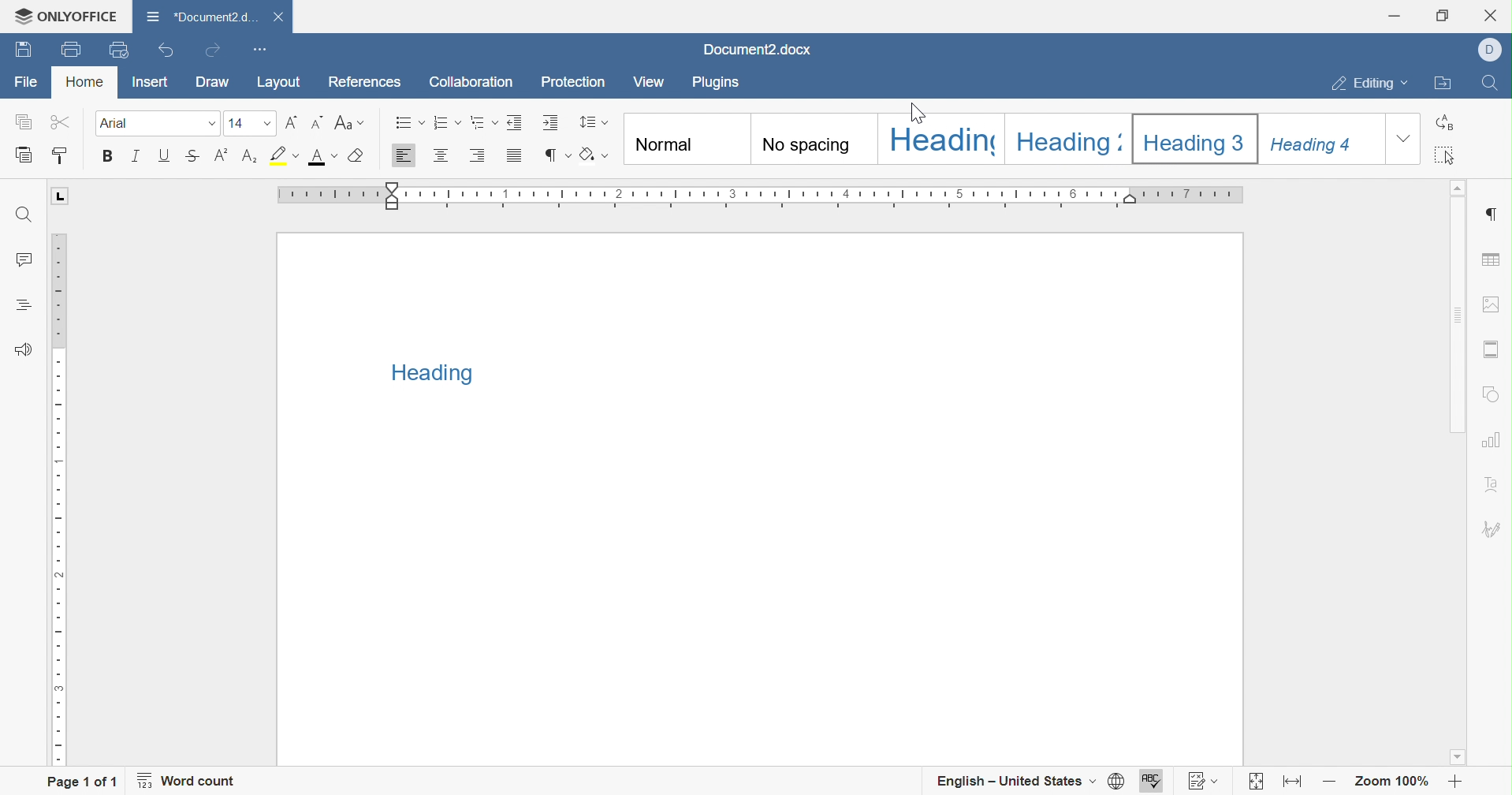 Image resolution: width=1512 pixels, height=795 pixels. Describe the element at coordinates (108, 156) in the screenshot. I see `Bold` at that location.